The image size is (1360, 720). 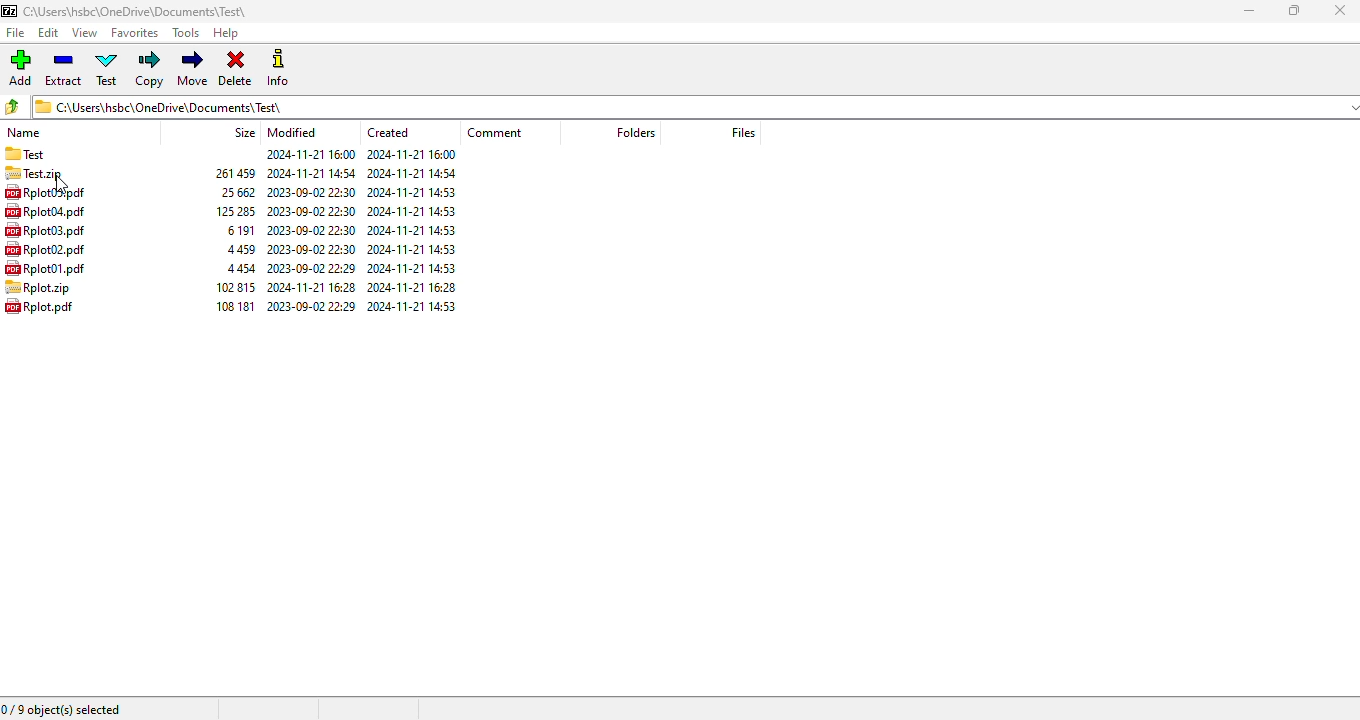 What do you see at coordinates (62, 710) in the screenshot?
I see `0/9 object(s) selected` at bounding box center [62, 710].